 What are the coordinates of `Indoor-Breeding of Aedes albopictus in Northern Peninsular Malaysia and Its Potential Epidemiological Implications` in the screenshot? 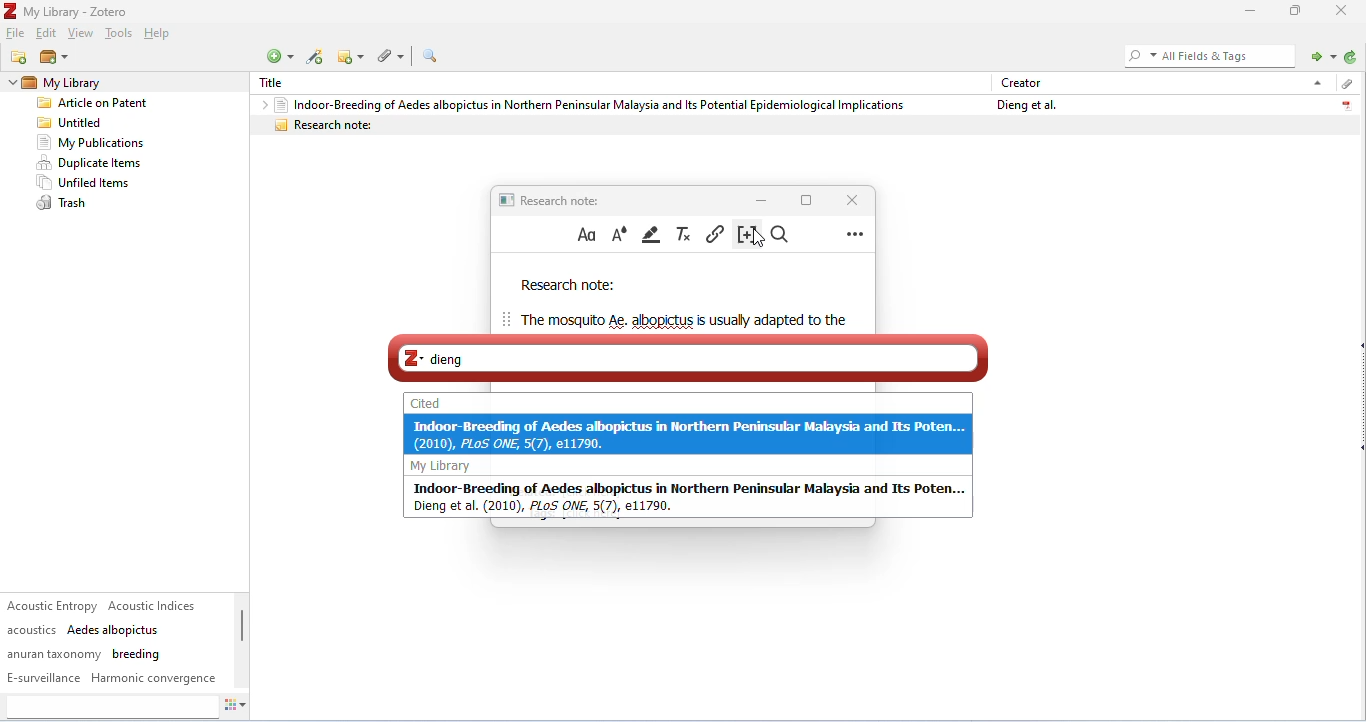 It's located at (589, 104).